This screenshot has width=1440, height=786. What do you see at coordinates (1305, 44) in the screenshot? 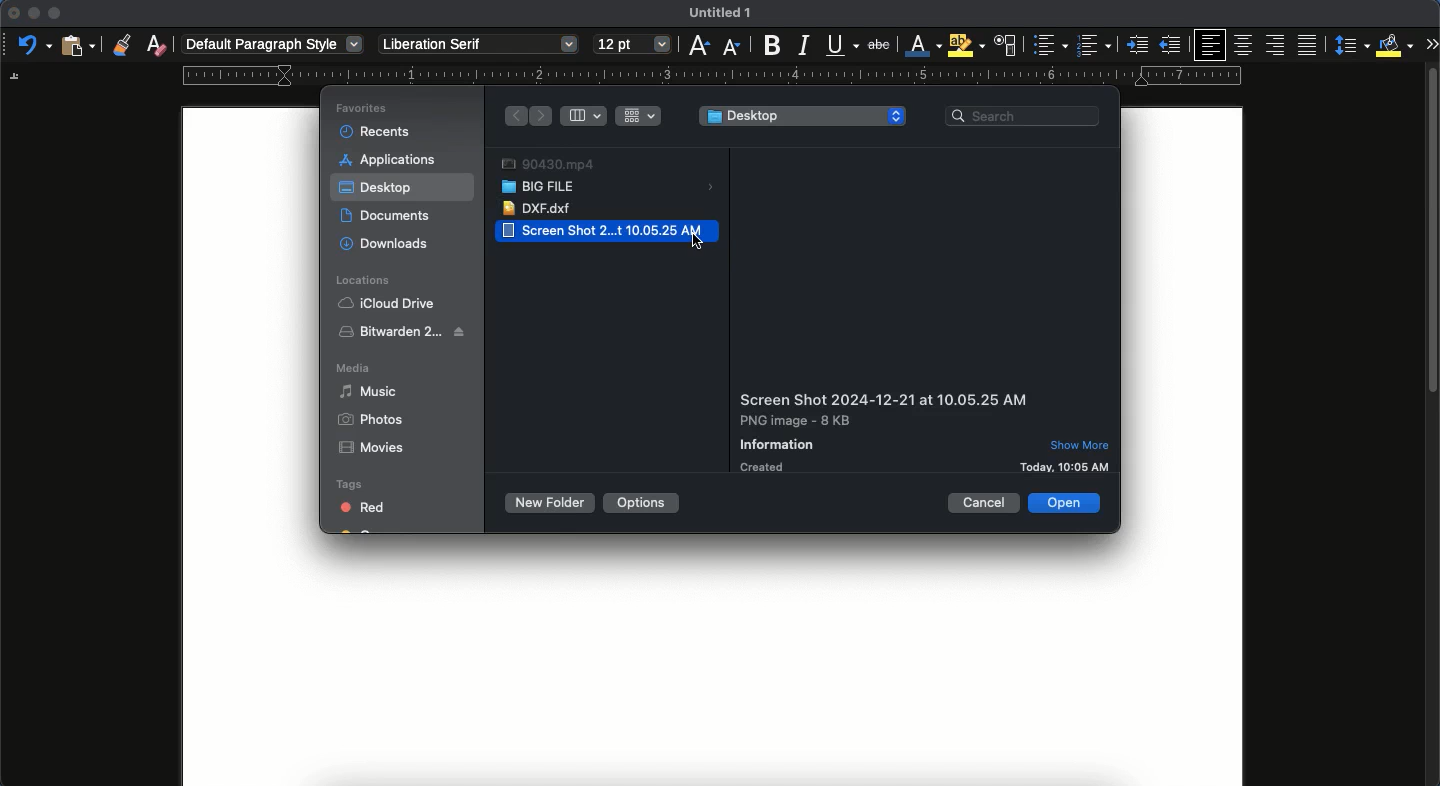
I see `justification` at bounding box center [1305, 44].